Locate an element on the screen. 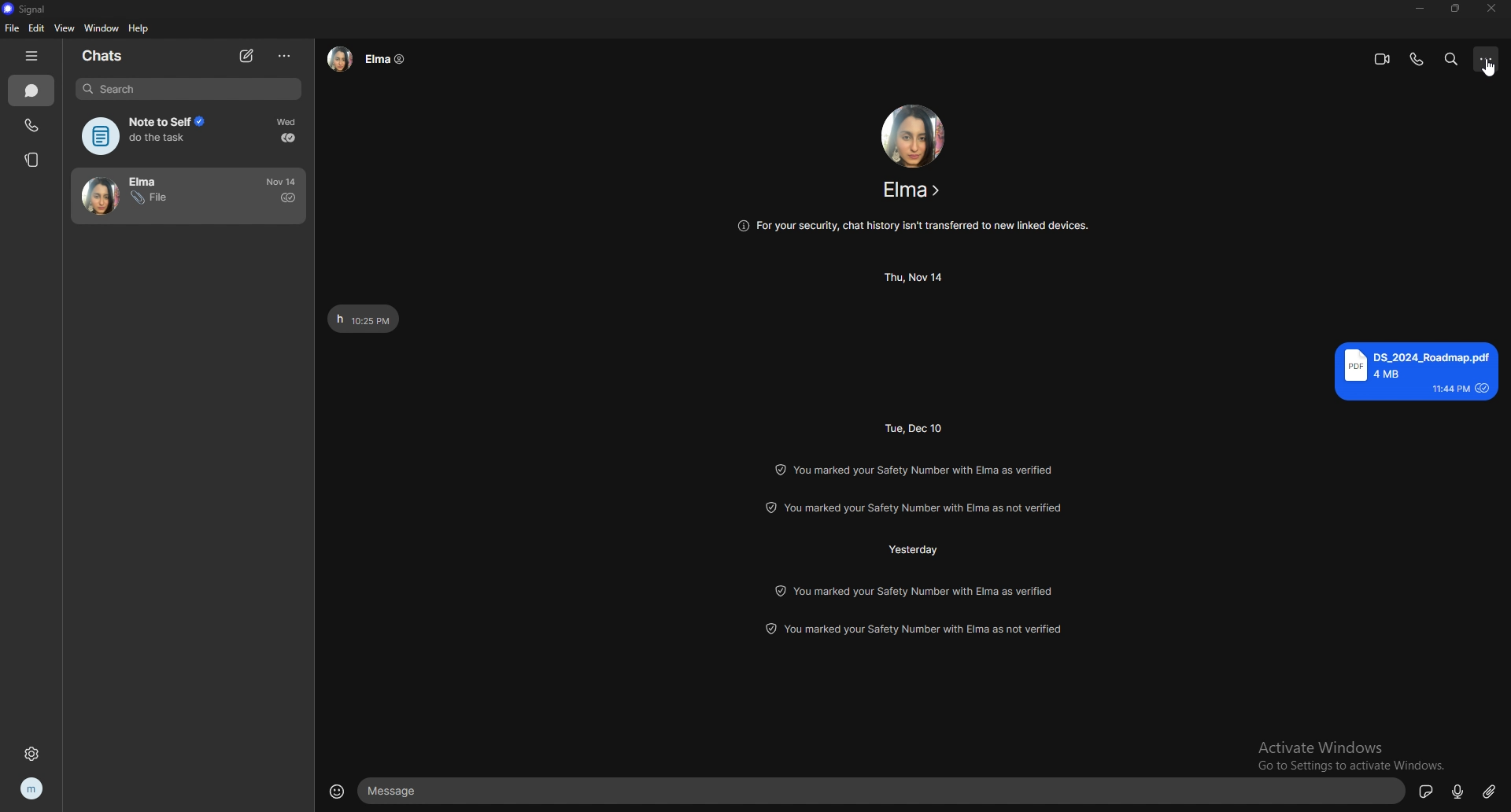 This screenshot has height=812, width=1511. file is located at coordinates (12, 28).